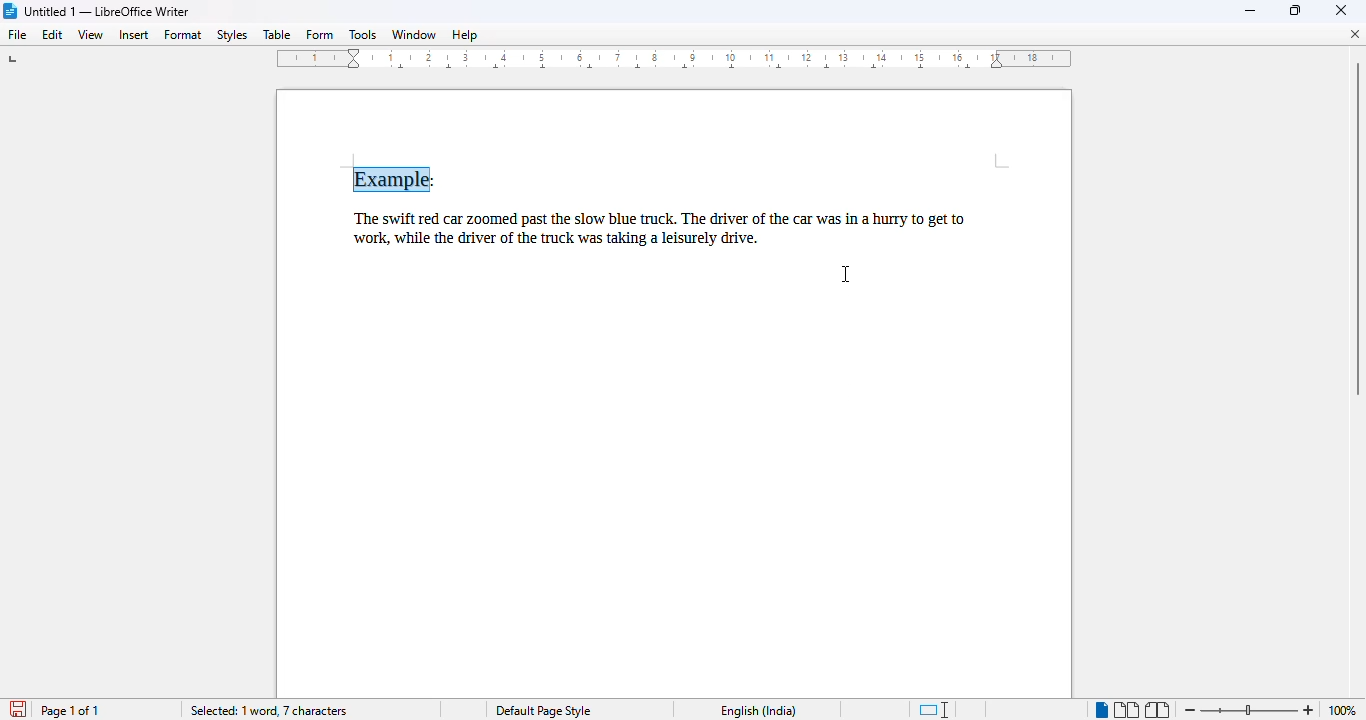  Describe the element at coordinates (1340, 11) in the screenshot. I see `close` at that location.